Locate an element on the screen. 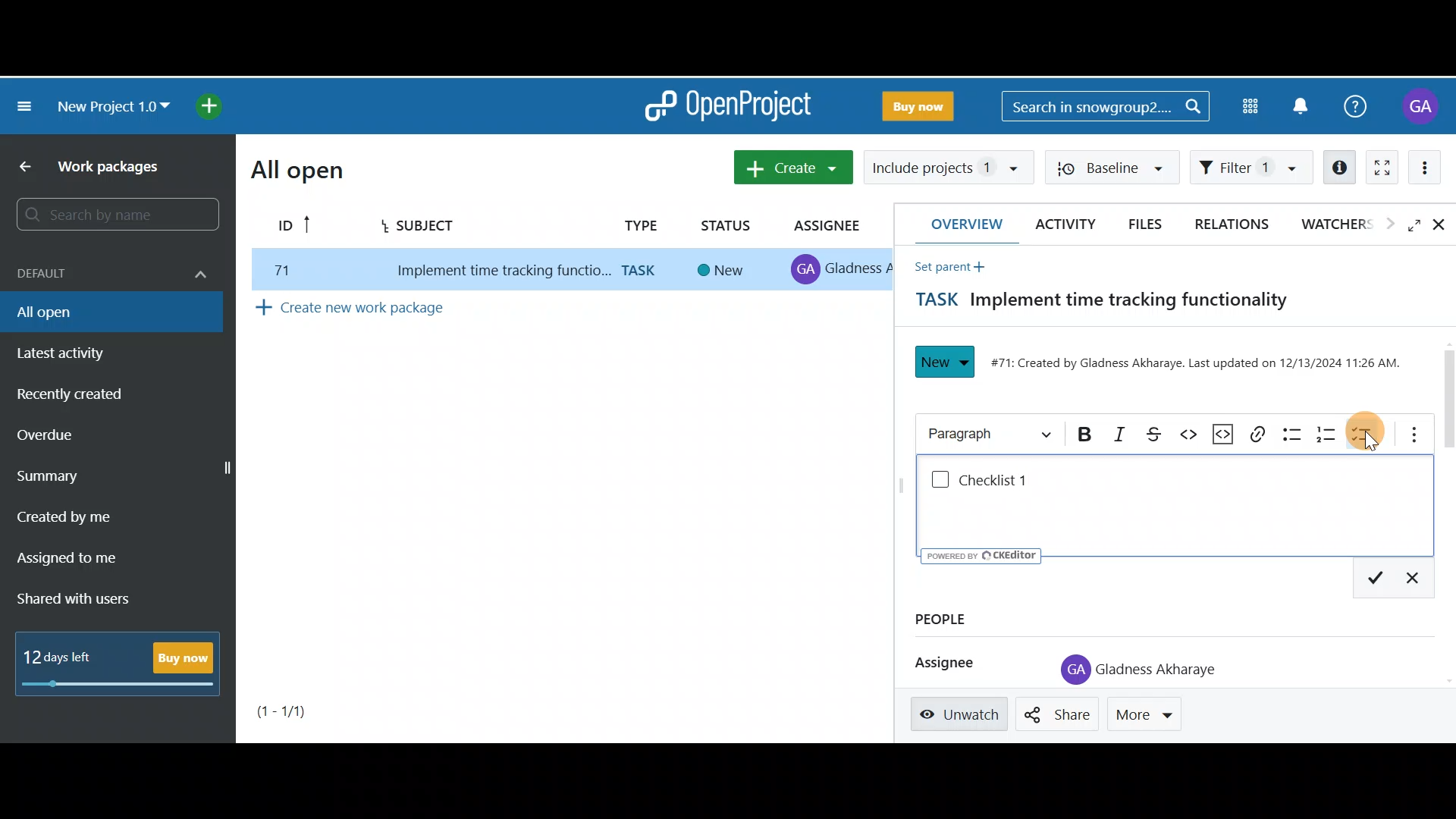  Watchers is located at coordinates (1335, 227).